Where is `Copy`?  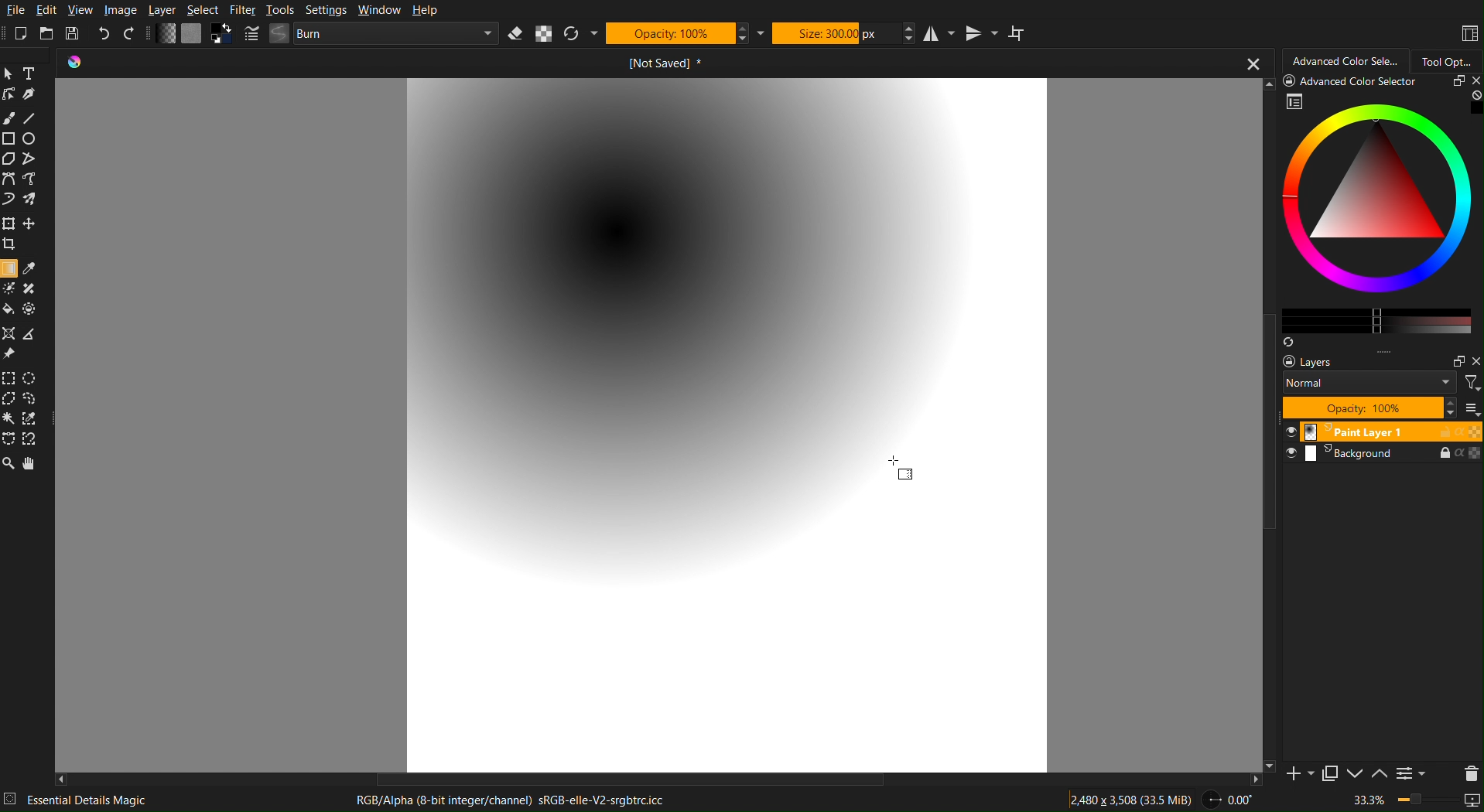
Copy is located at coordinates (1328, 776).